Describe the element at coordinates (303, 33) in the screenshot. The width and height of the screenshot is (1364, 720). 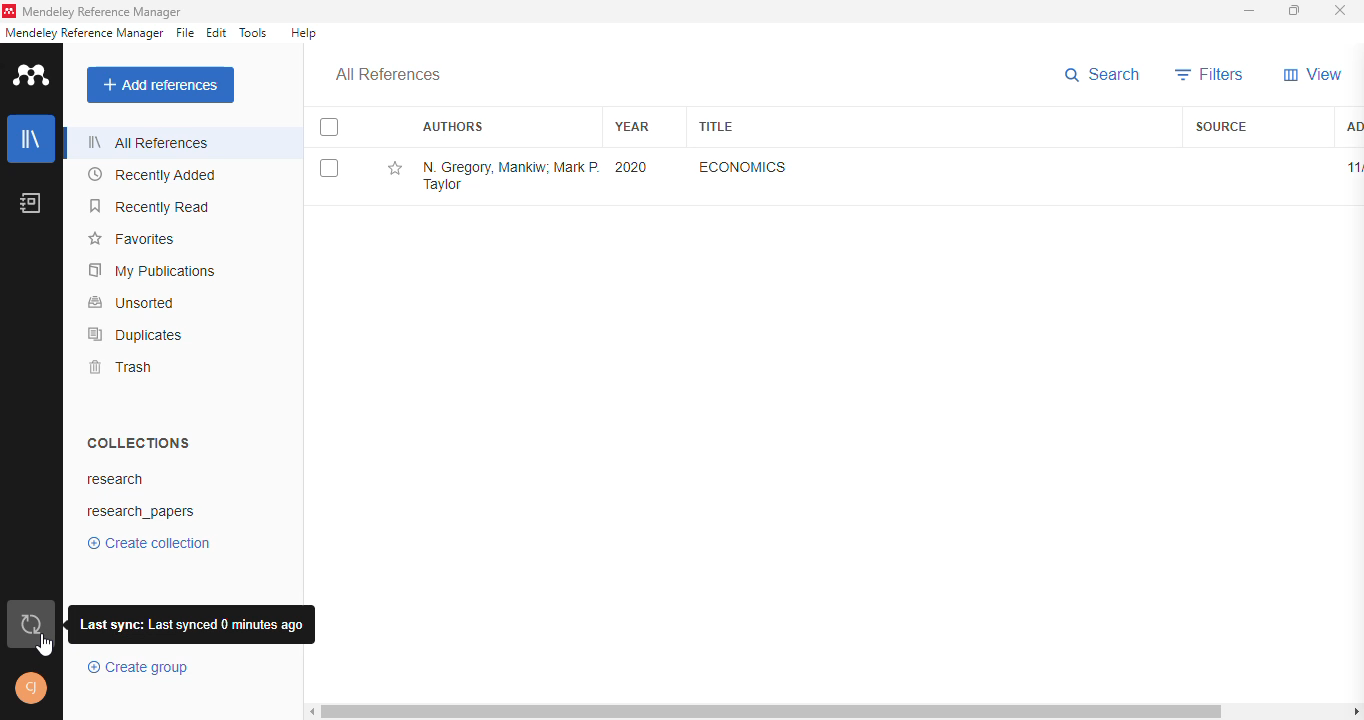
I see `help` at that location.